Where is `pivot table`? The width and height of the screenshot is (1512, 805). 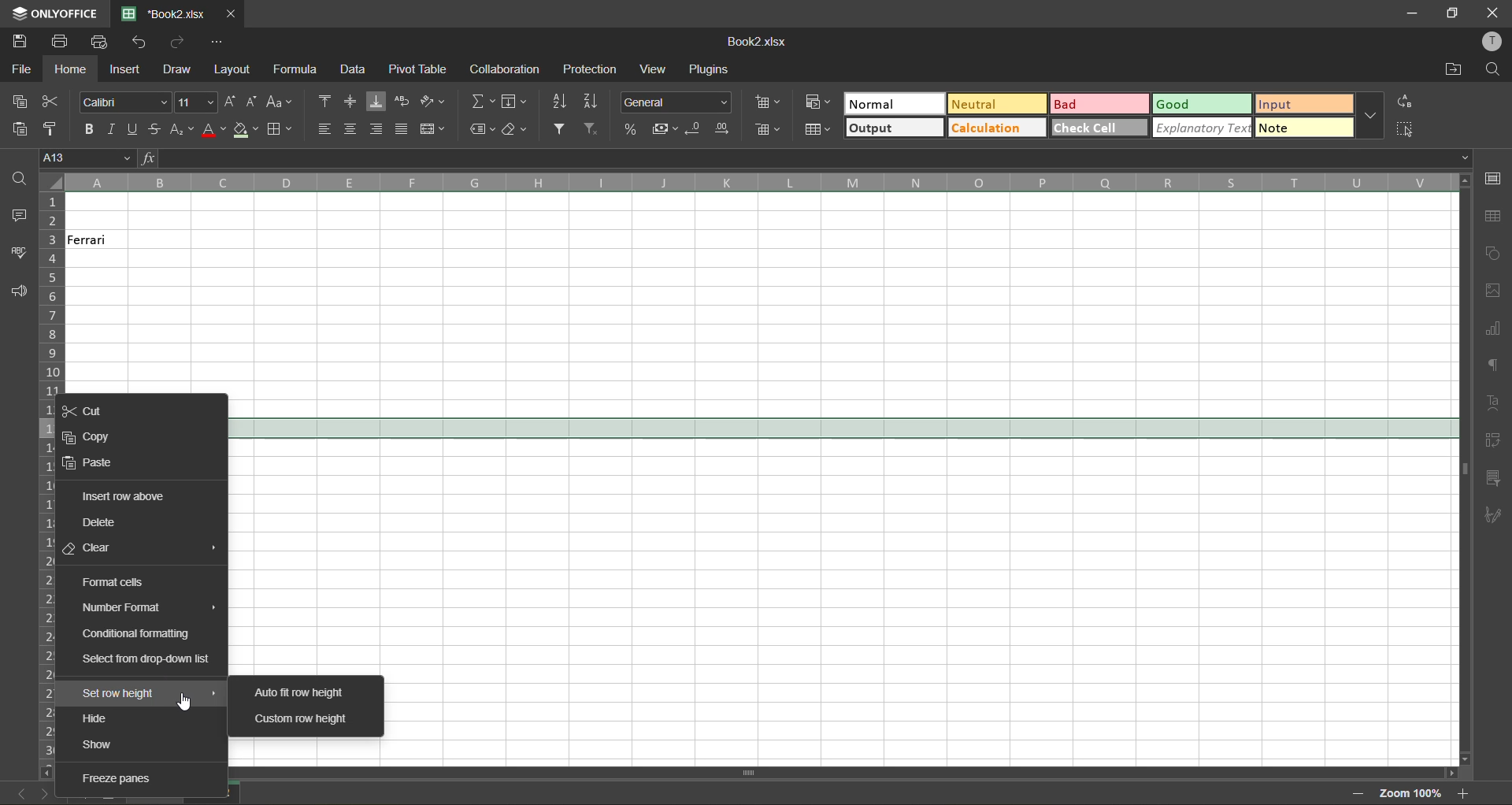 pivot table is located at coordinates (1496, 440).